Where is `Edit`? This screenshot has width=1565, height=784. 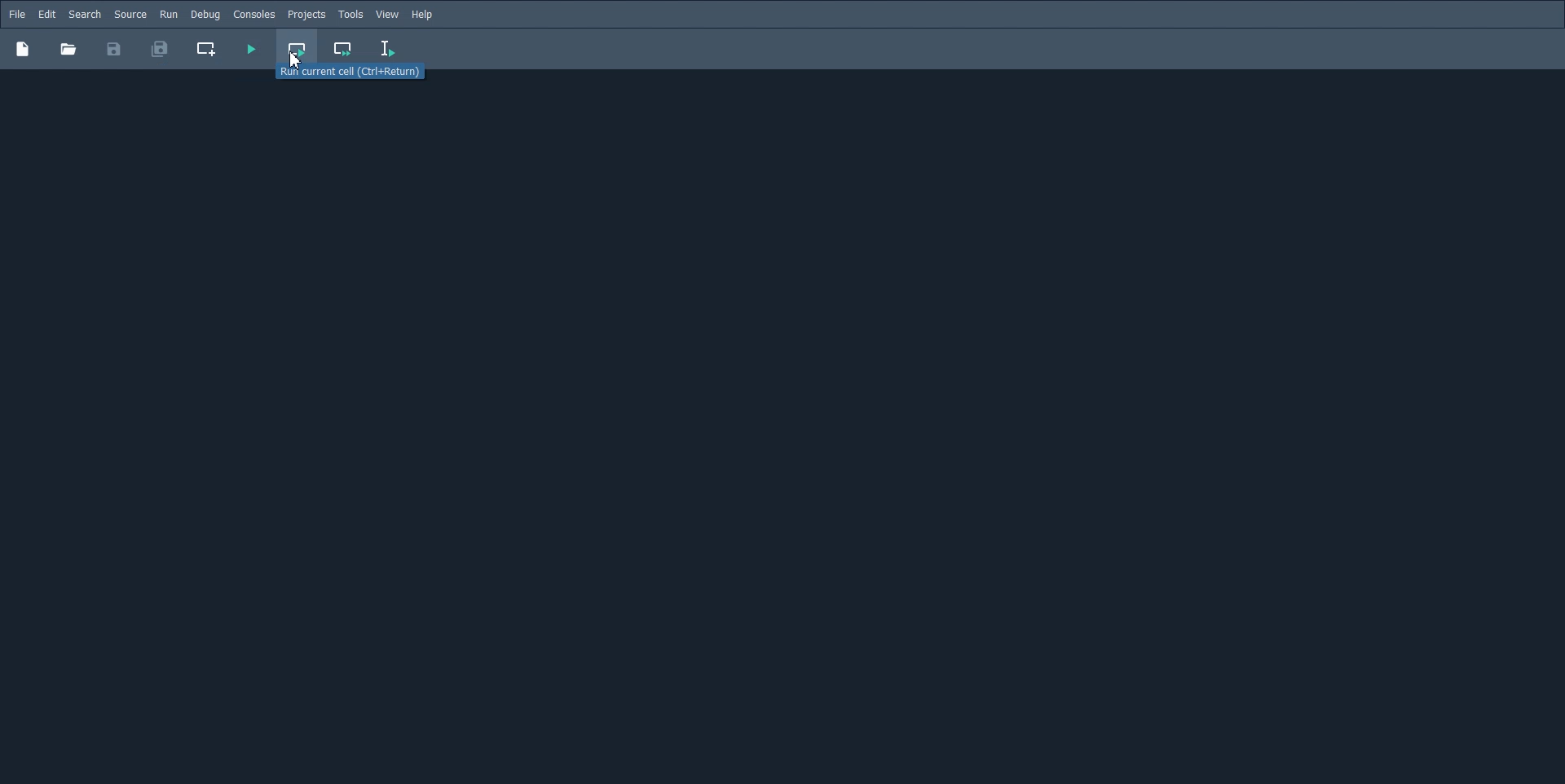 Edit is located at coordinates (46, 15).